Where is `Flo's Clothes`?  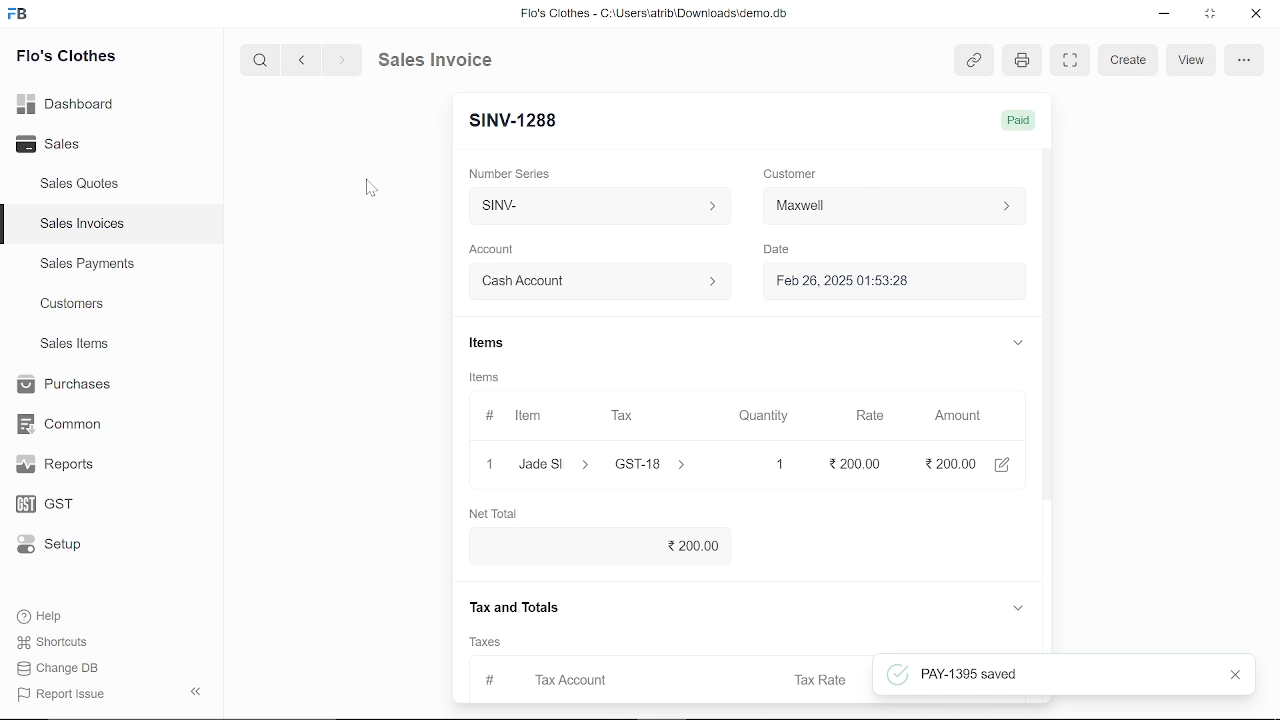
Flo's Clothes is located at coordinates (66, 58).